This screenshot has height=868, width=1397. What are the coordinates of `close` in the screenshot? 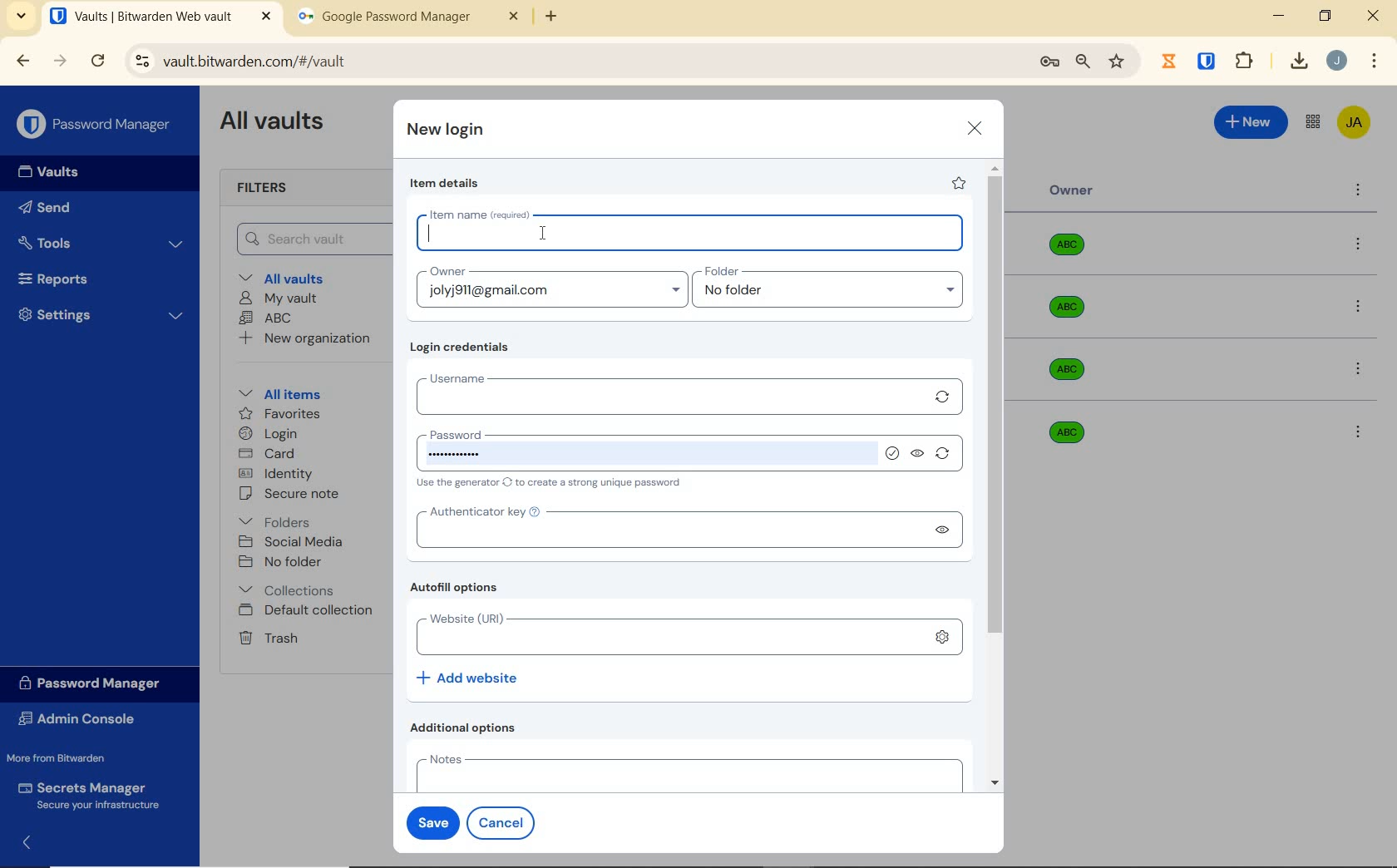 It's located at (1375, 16).